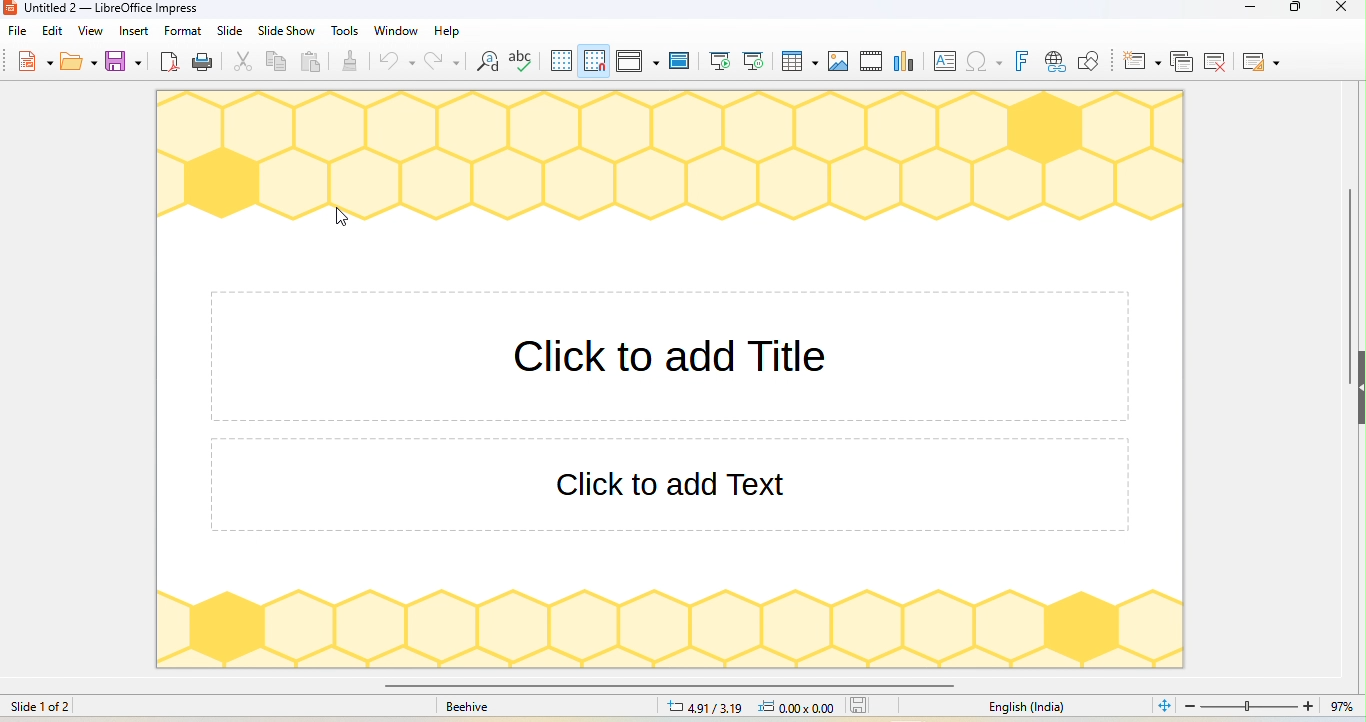 Image resolution: width=1366 pixels, height=722 pixels. What do you see at coordinates (669, 379) in the screenshot?
I see `Click to add Title  Click to add Text (new slide design template added)` at bounding box center [669, 379].